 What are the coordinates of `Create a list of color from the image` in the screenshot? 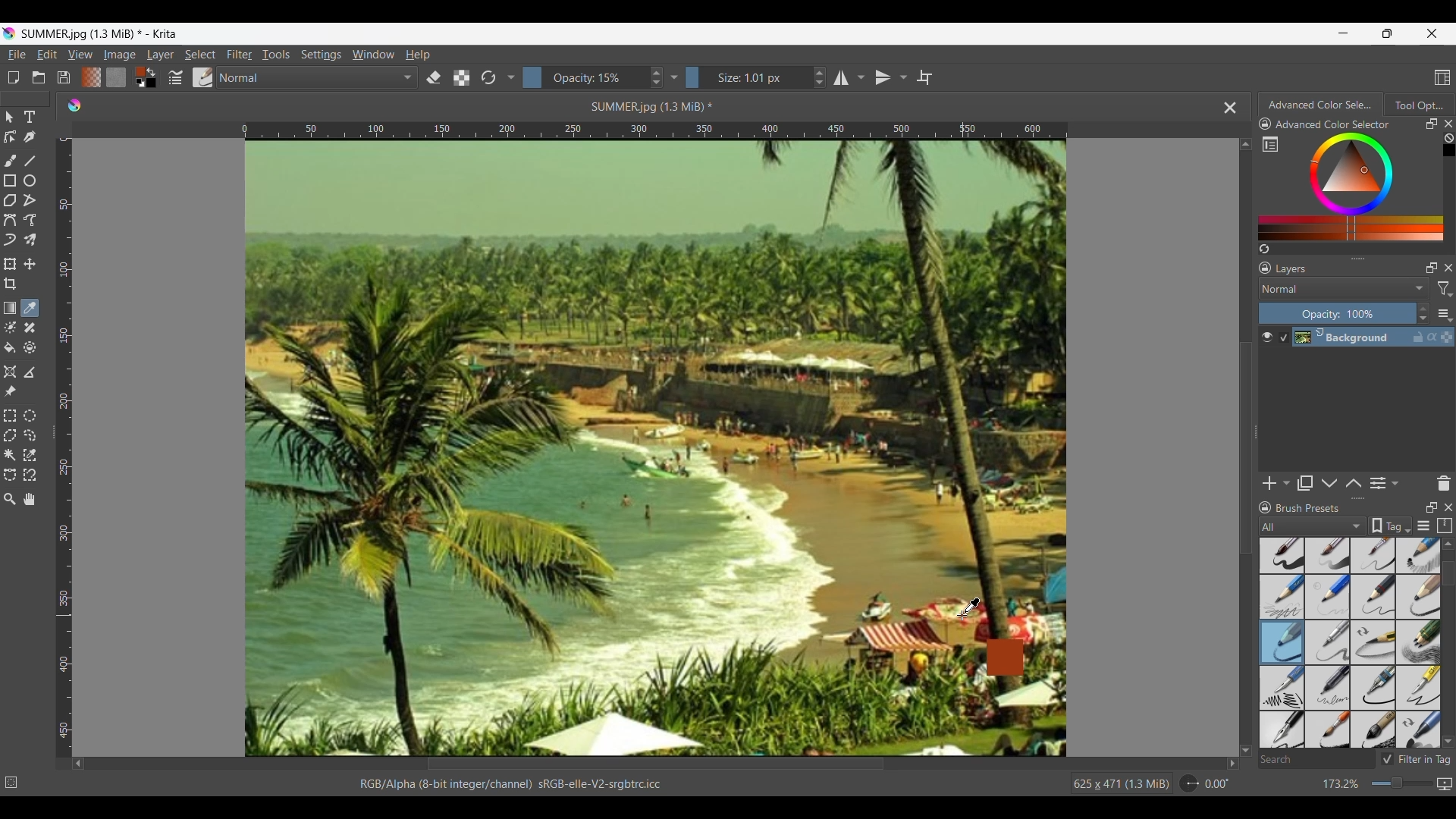 It's located at (1265, 249).